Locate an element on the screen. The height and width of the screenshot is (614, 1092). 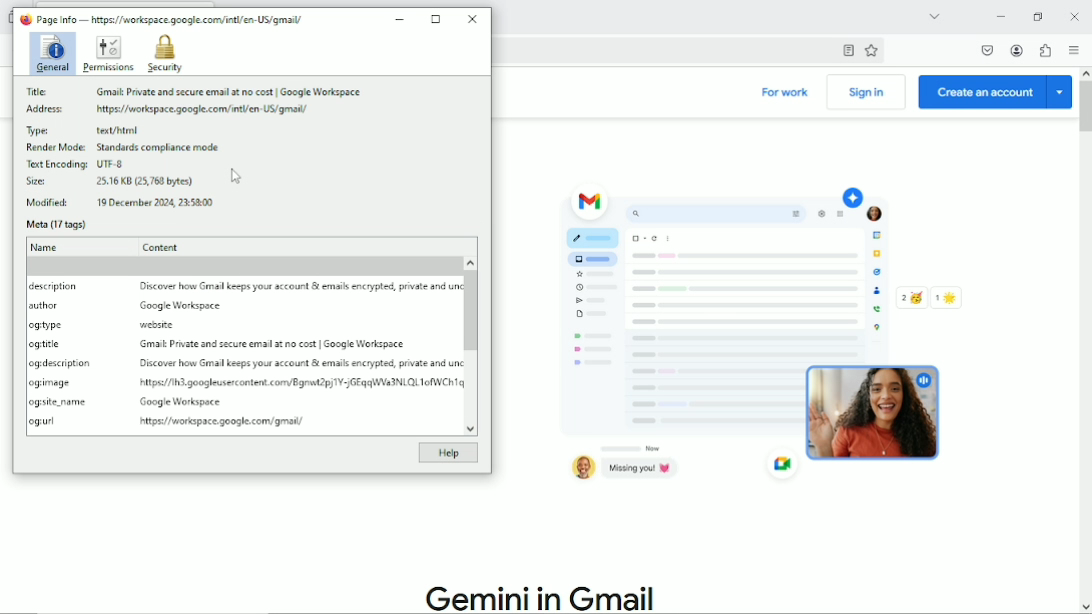
og:description is located at coordinates (60, 364).